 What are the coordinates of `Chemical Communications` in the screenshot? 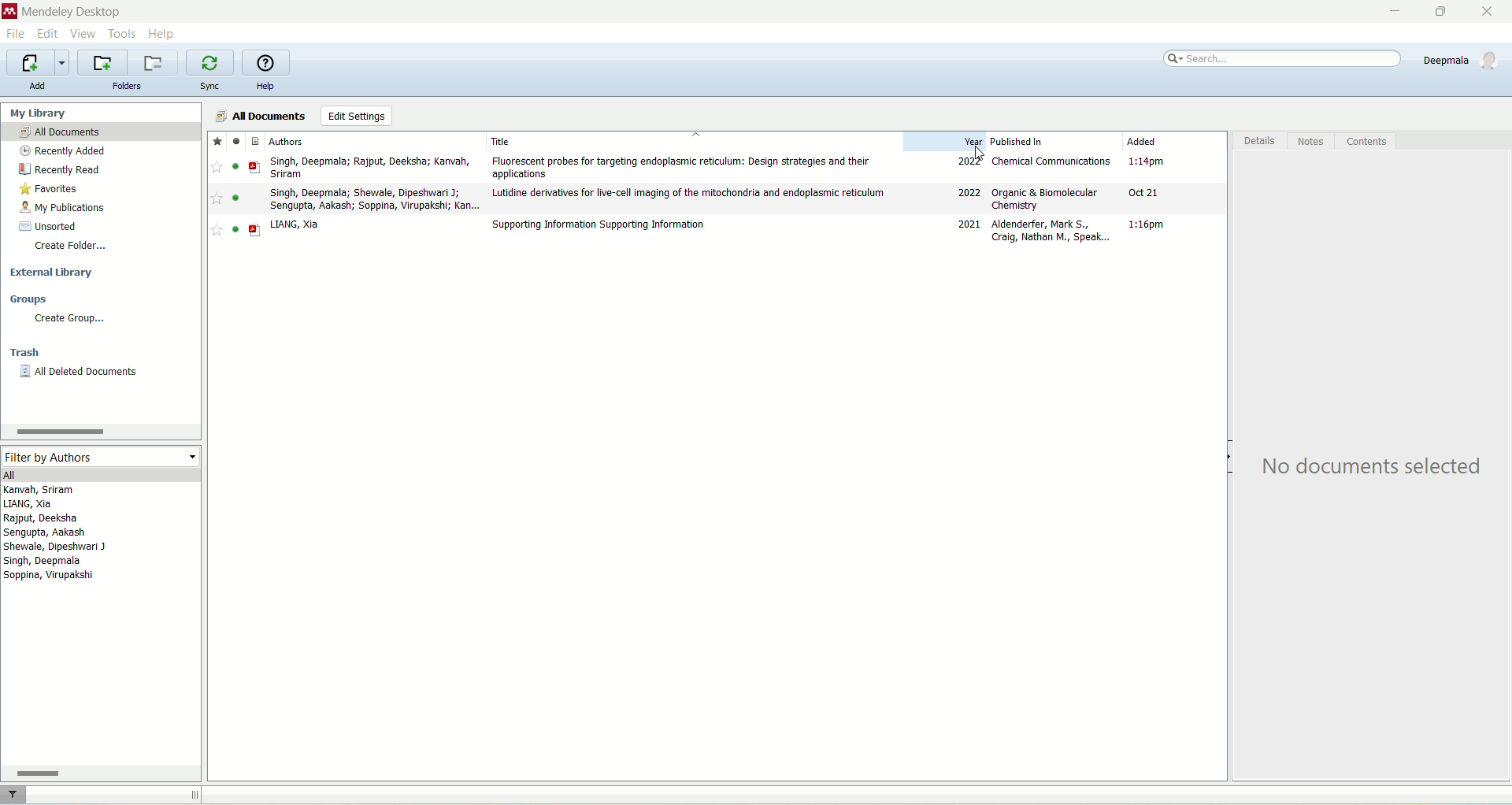 It's located at (1056, 163).